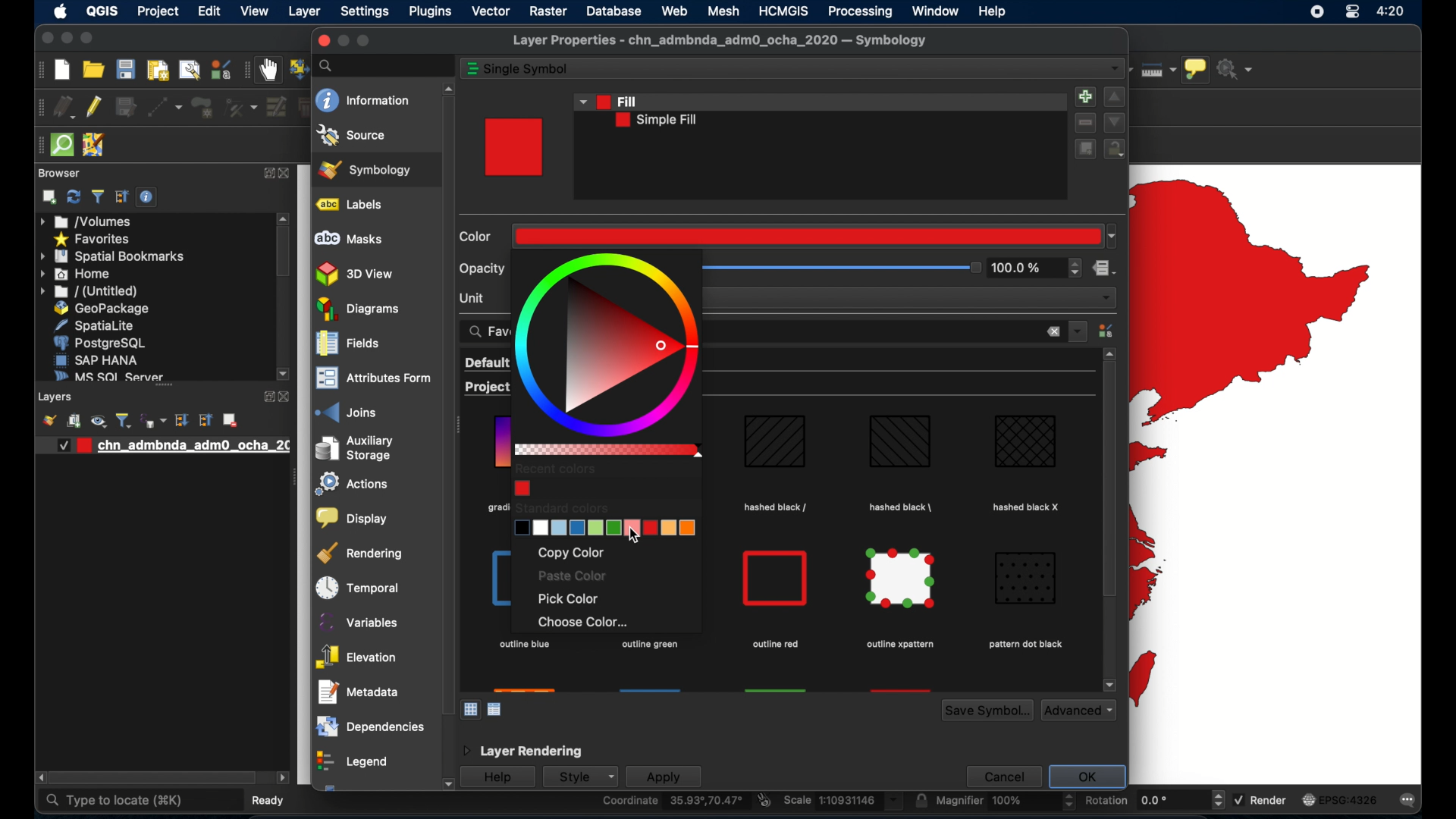 The image size is (1456, 819). Describe the element at coordinates (37, 146) in the screenshot. I see `drag handle` at that location.